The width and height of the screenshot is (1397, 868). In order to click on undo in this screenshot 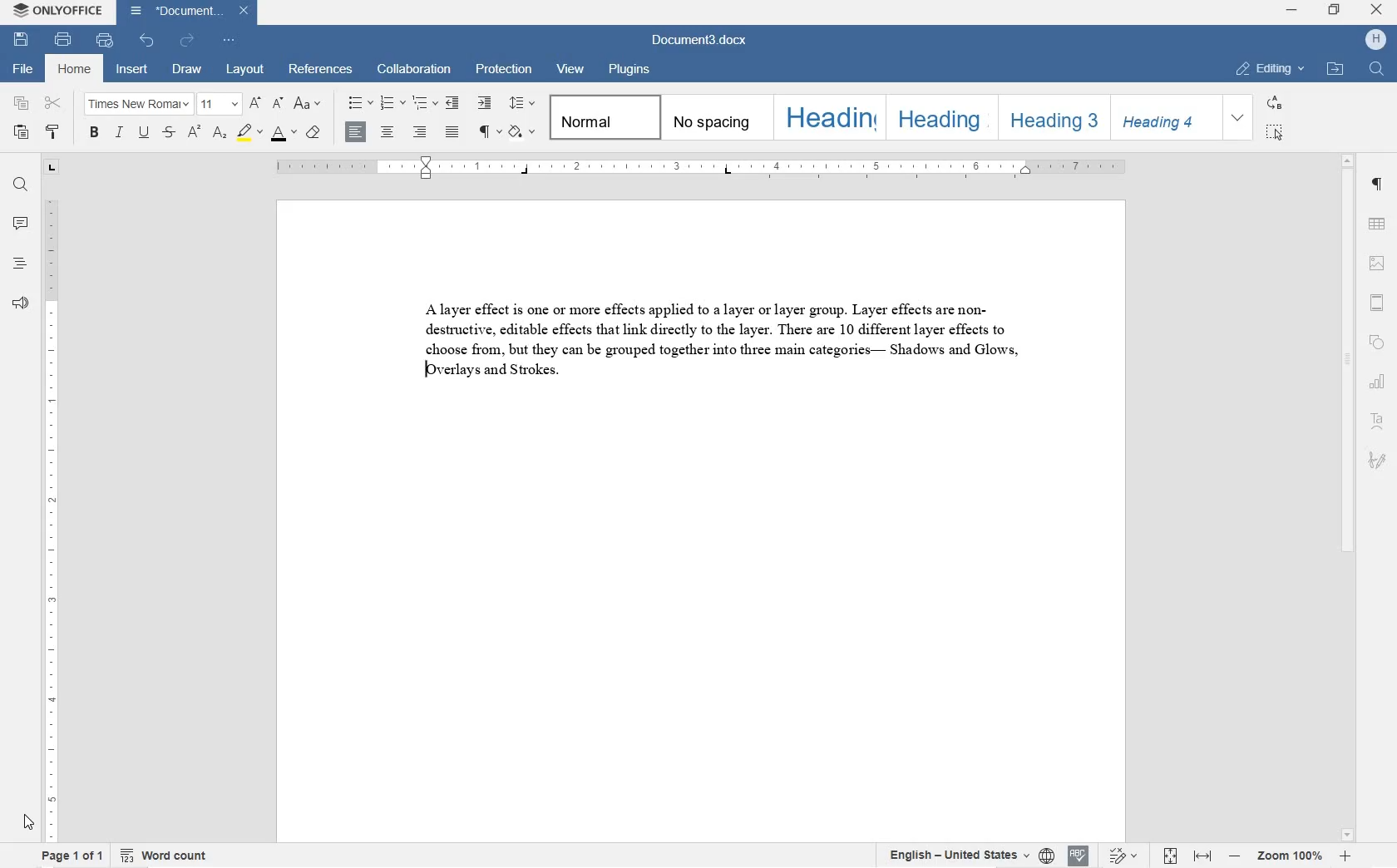, I will do `click(148, 42)`.